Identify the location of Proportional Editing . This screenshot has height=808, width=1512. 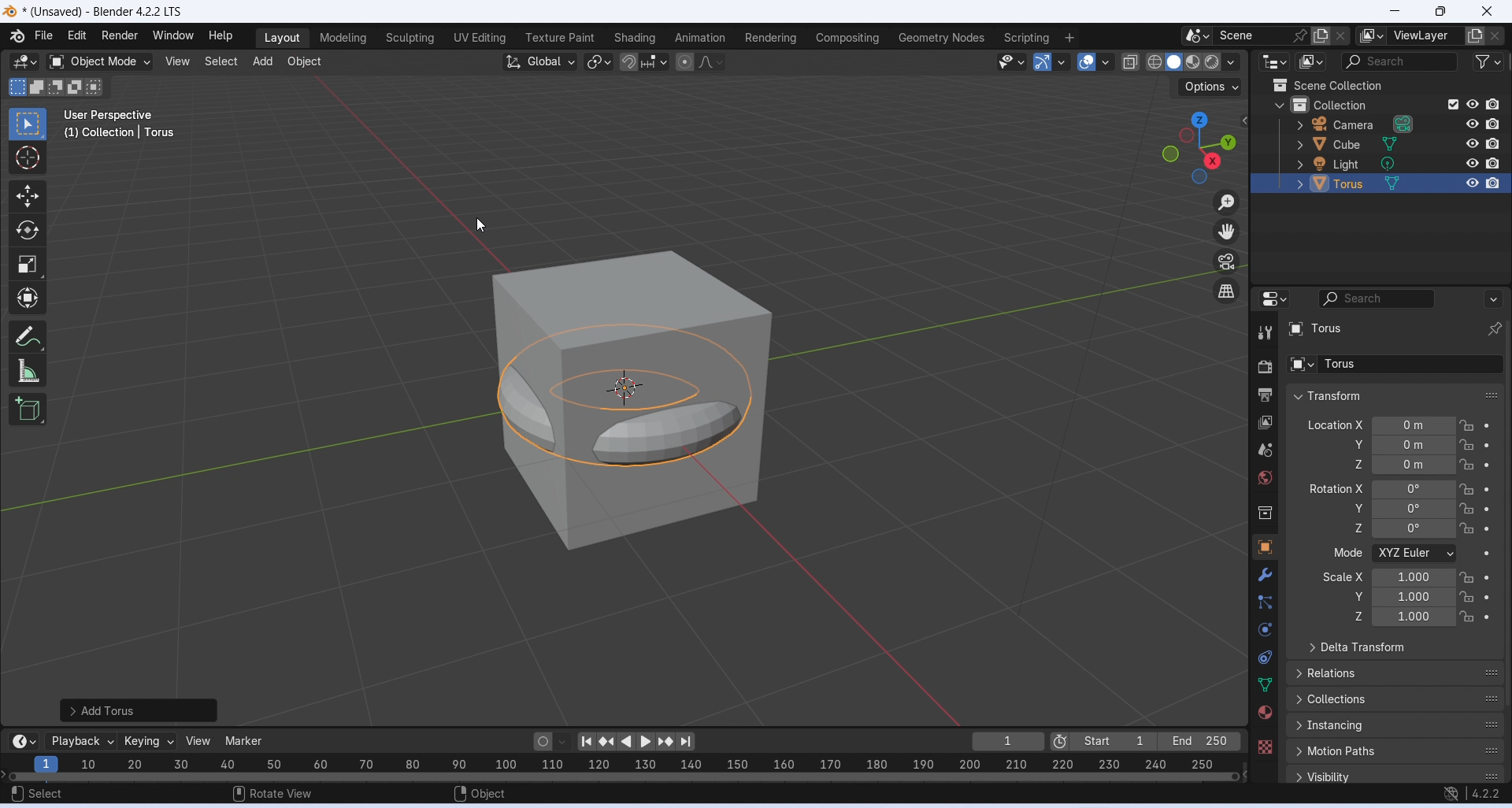
(696, 61).